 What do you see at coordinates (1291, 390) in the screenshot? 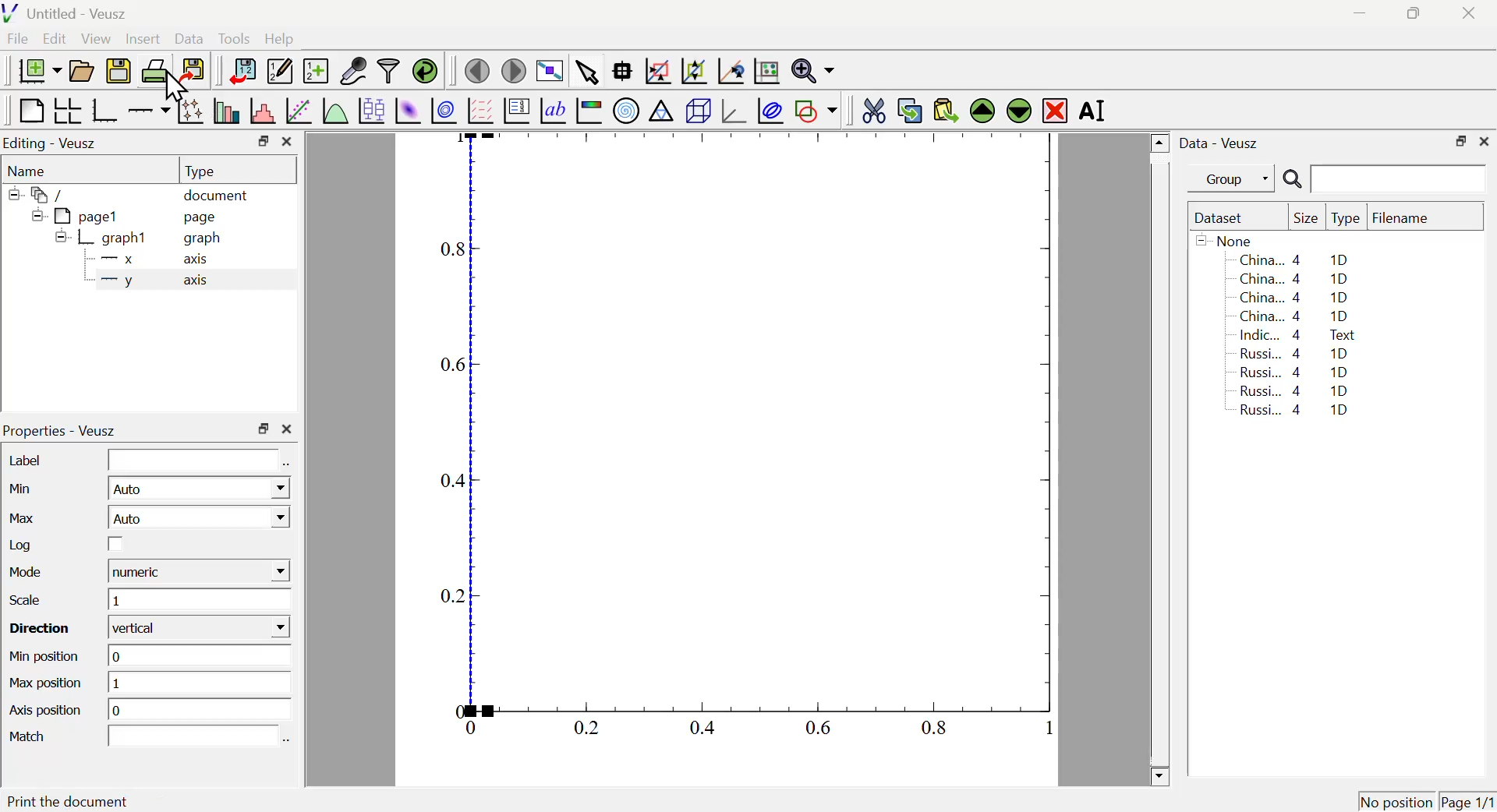
I see `Russi... 4 1D` at bounding box center [1291, 390].